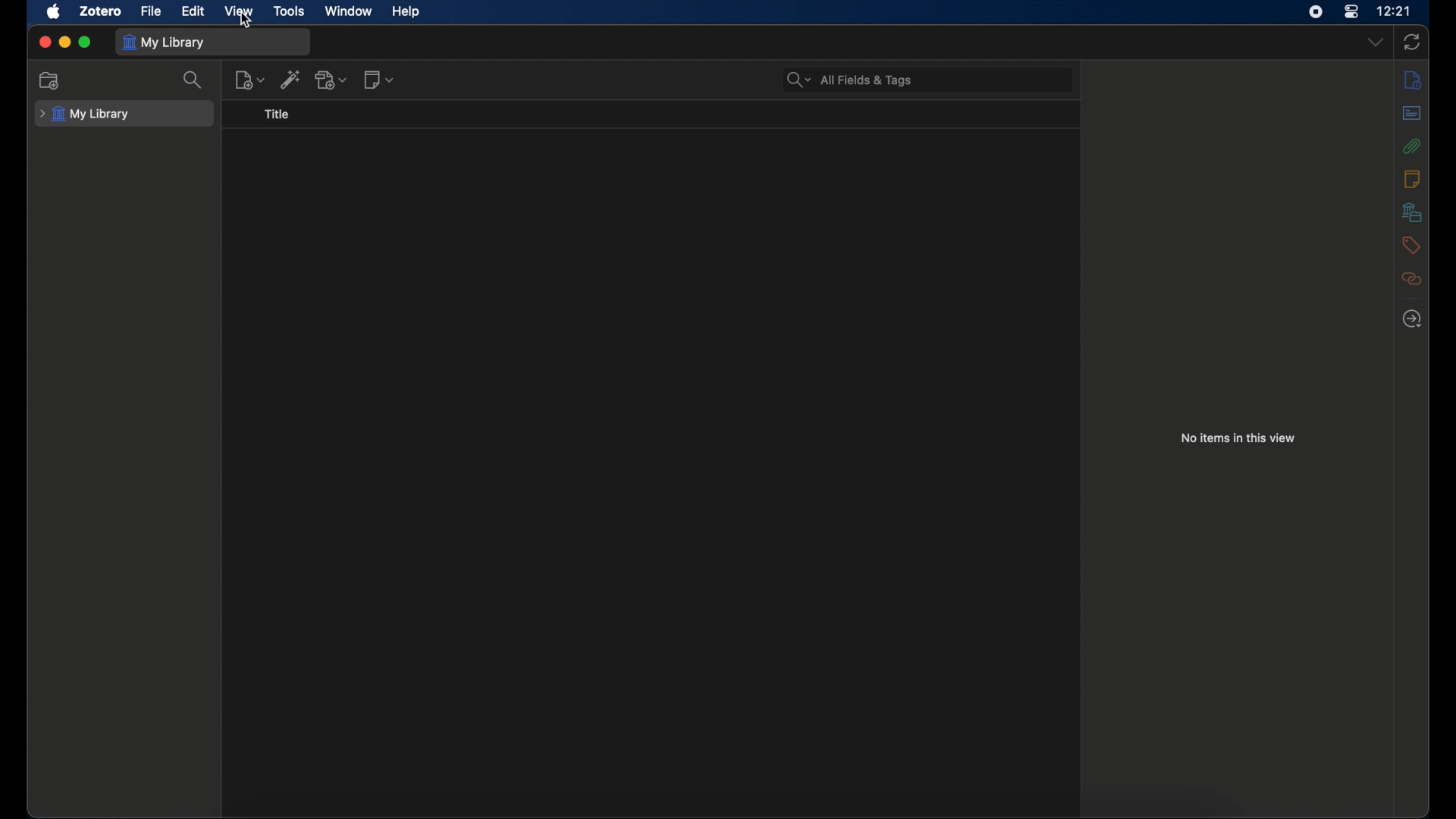  I want to click on title, so click(277, 115).